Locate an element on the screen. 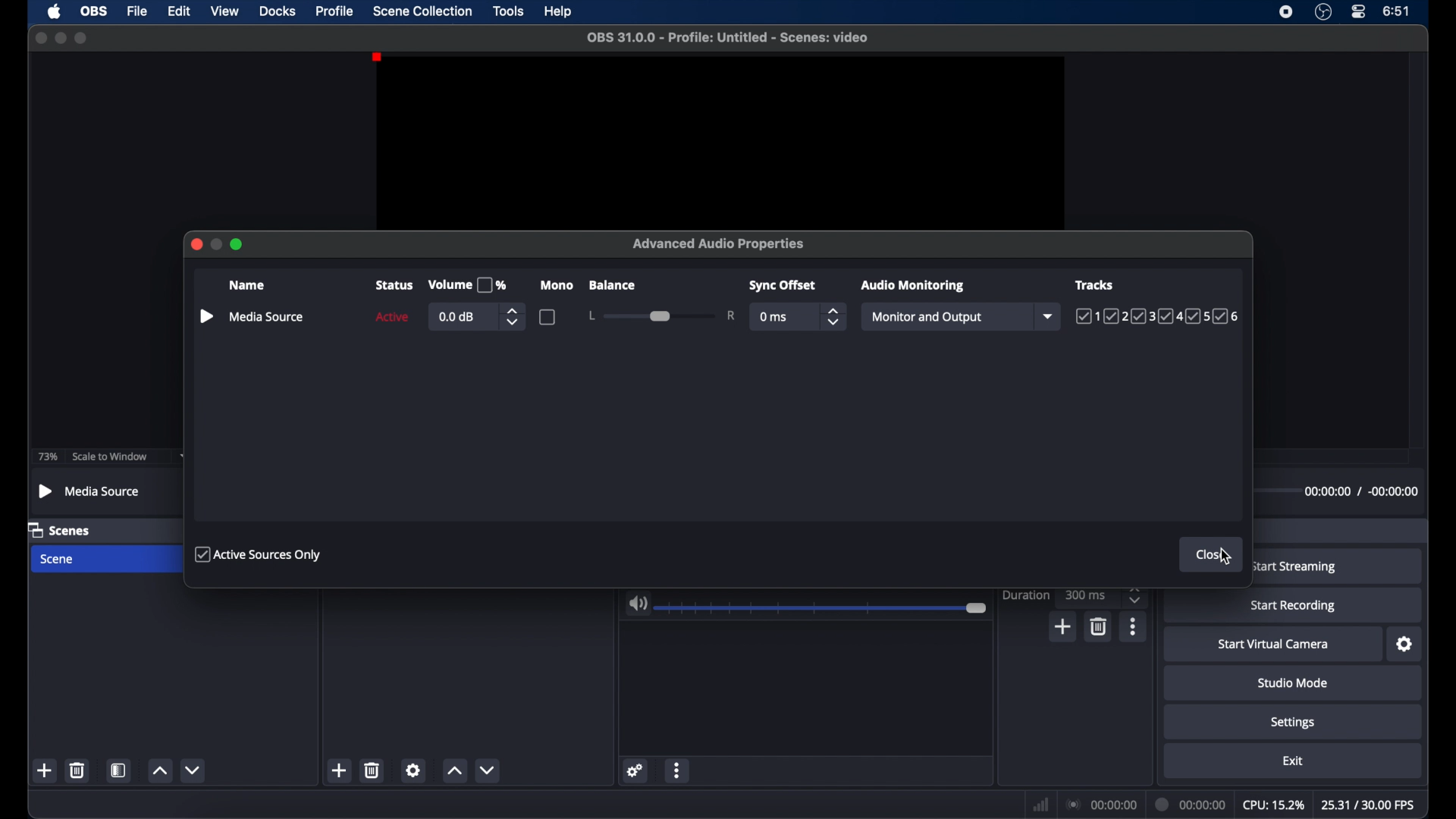 The image size is (1456, 819). decrement is located at coordinates (490, 770).